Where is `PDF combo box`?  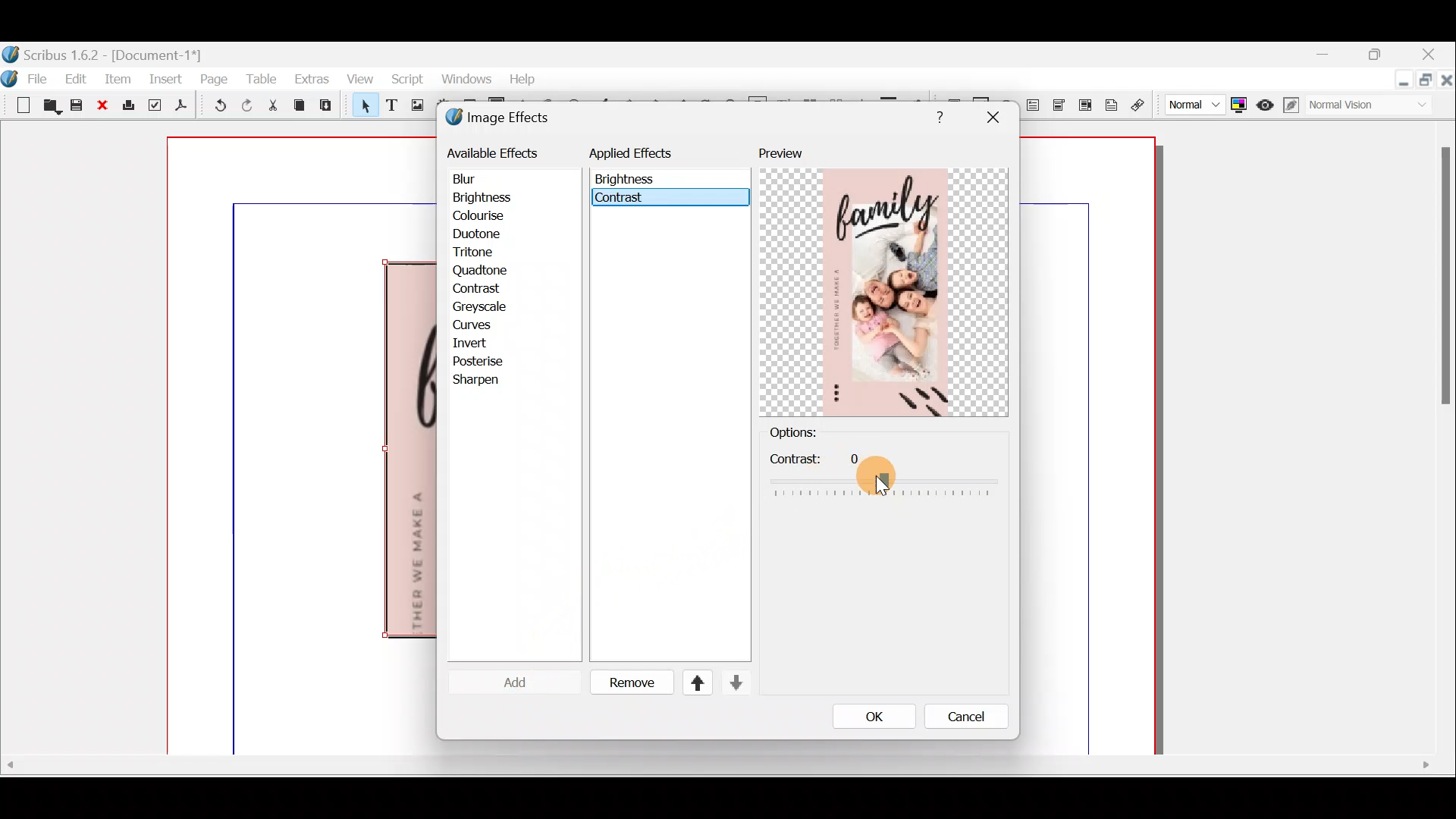 PDF combo box is located at coordinates (1060, 105).